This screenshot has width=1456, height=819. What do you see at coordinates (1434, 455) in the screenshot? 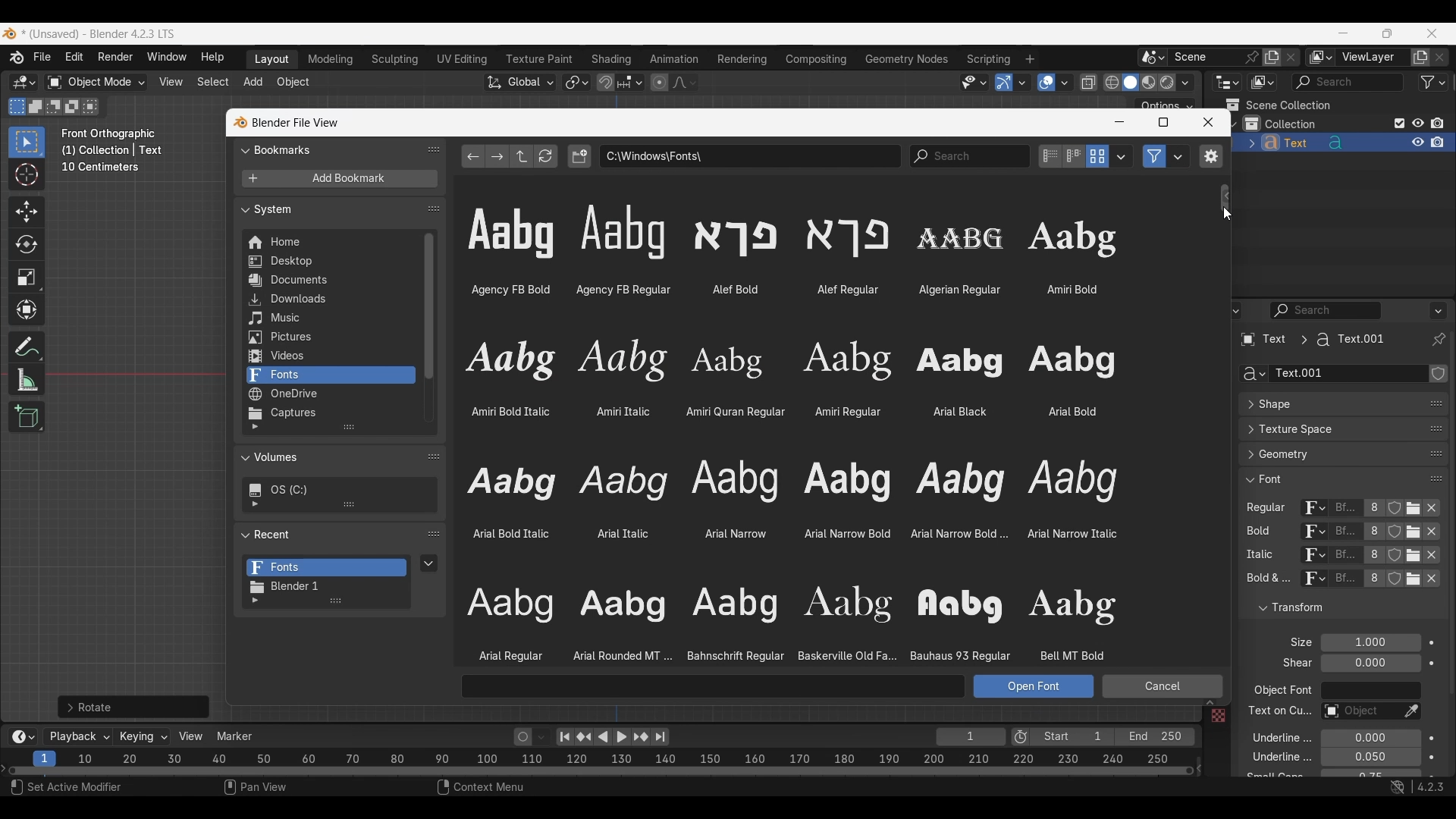
I see `change position` at bounding box center [1434, 455].